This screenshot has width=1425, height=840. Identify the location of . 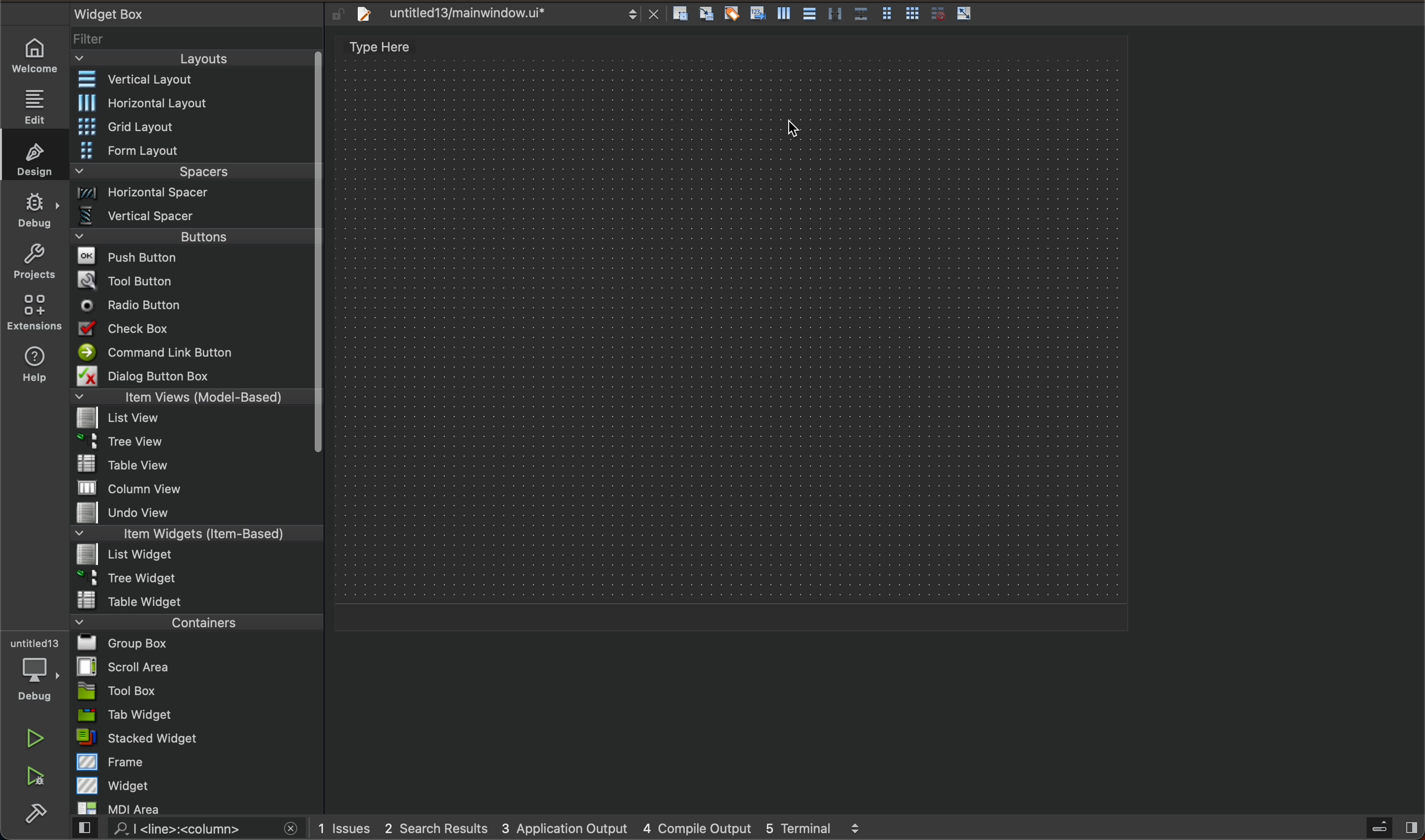
(682, 14).